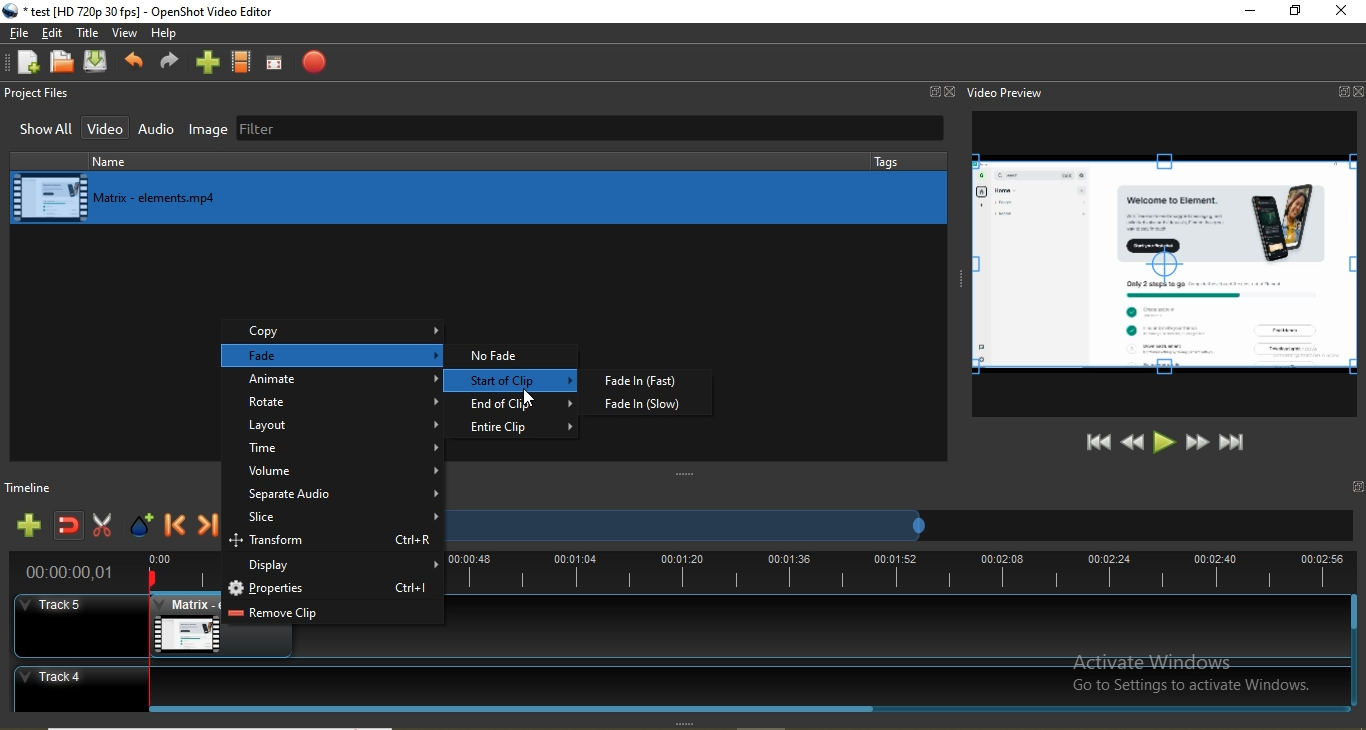 The image size is (1366, 730). Describe the element at coordinates (336, 567) in the screenshot. I see `display` at that location.